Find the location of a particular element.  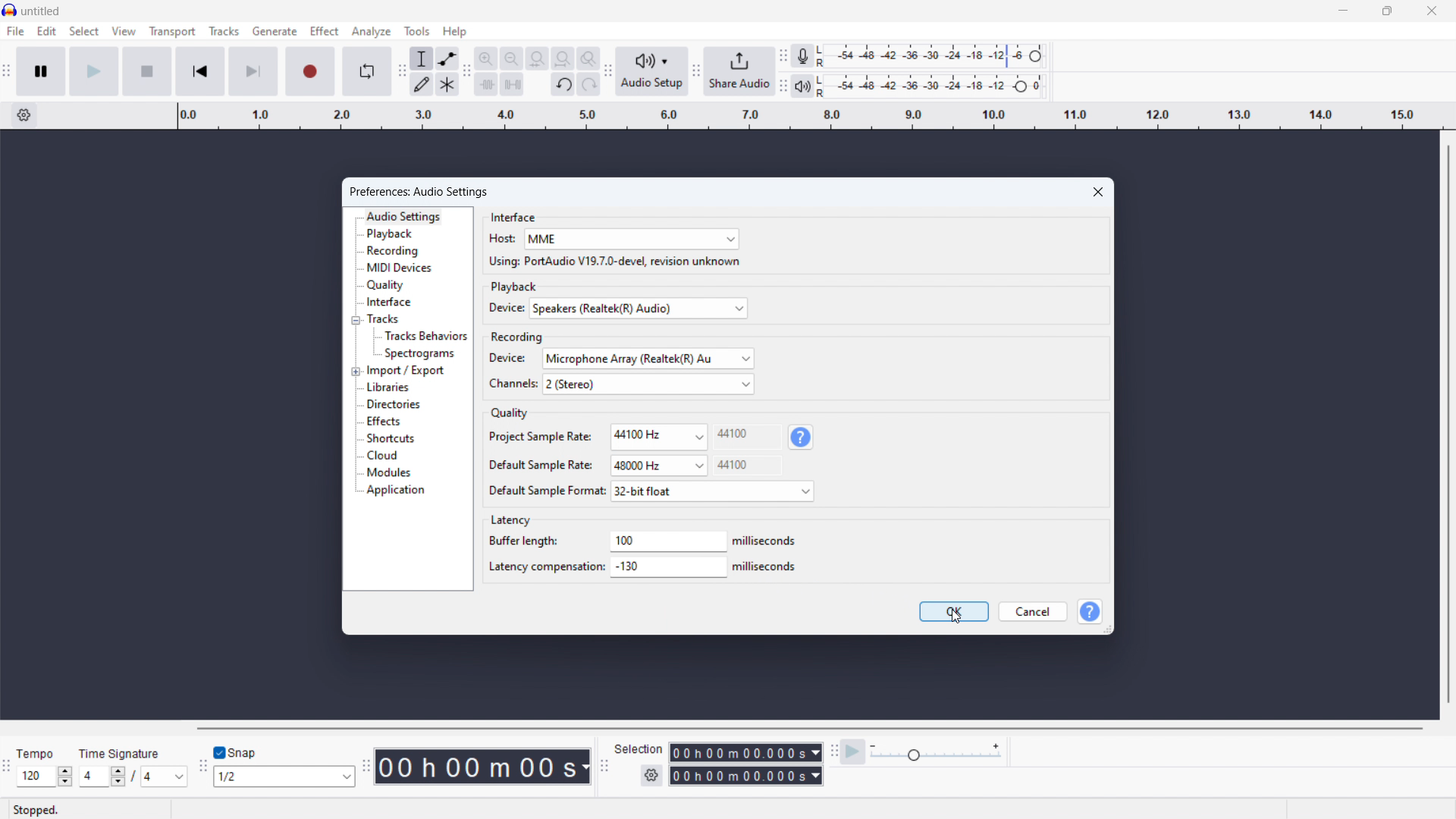

recording meter is located at coordinates (803, 56).